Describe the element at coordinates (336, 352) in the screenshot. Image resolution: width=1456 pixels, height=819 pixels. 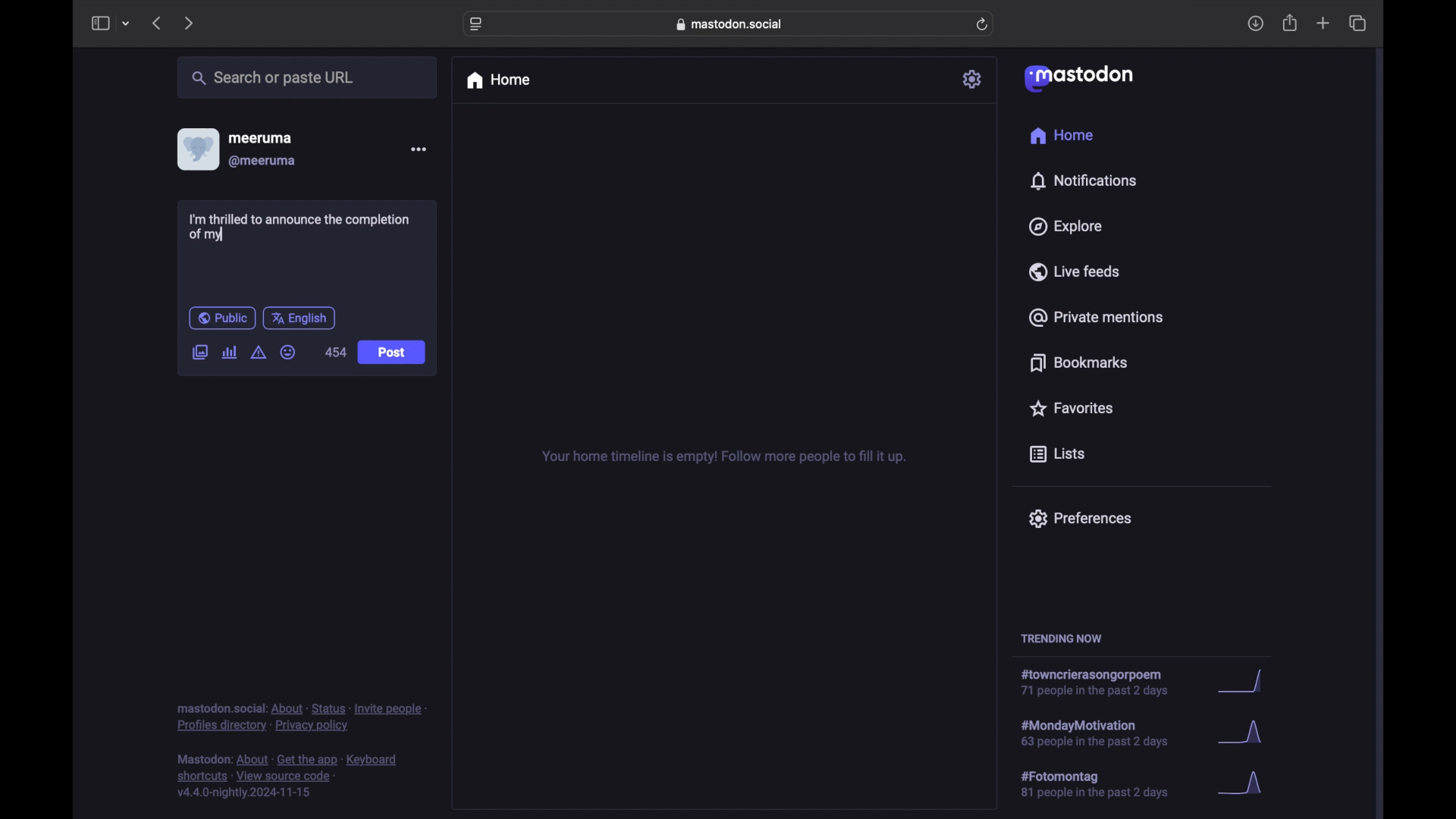
I see `454` at that location.